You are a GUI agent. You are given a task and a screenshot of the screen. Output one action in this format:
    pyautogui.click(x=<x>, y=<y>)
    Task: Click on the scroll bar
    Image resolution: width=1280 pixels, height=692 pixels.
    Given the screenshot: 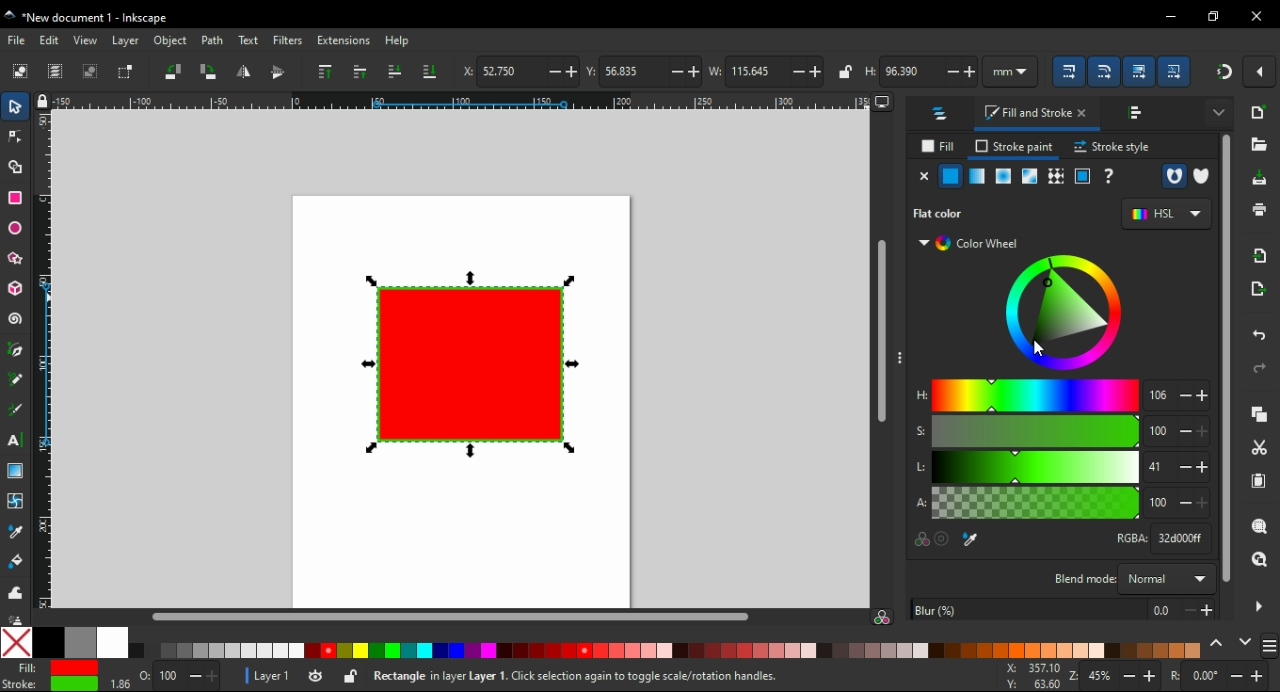 What is the action you would take?
    pyautogui.click(x=1224, y=363)
    